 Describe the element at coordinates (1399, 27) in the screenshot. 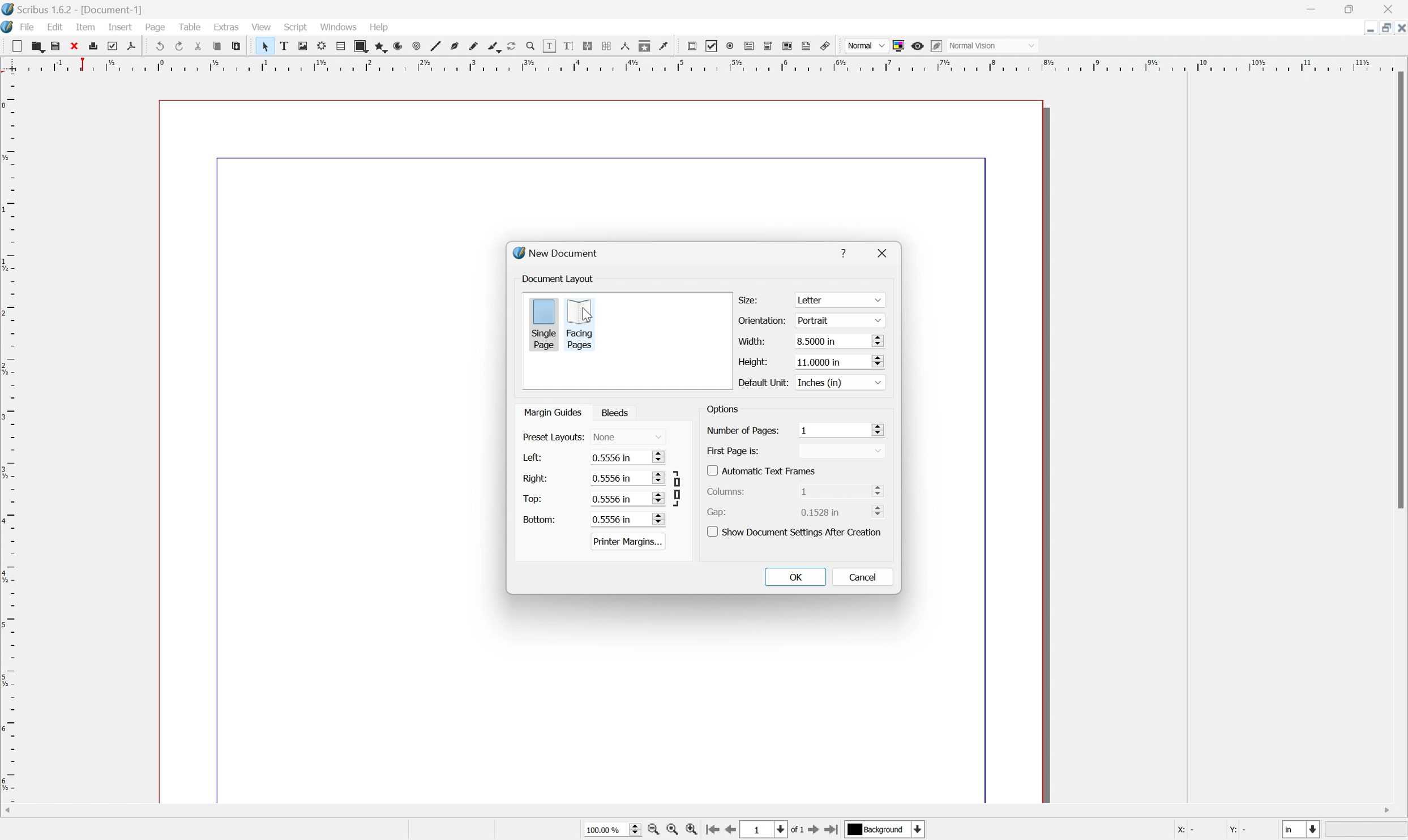

I see `Close` at that location.